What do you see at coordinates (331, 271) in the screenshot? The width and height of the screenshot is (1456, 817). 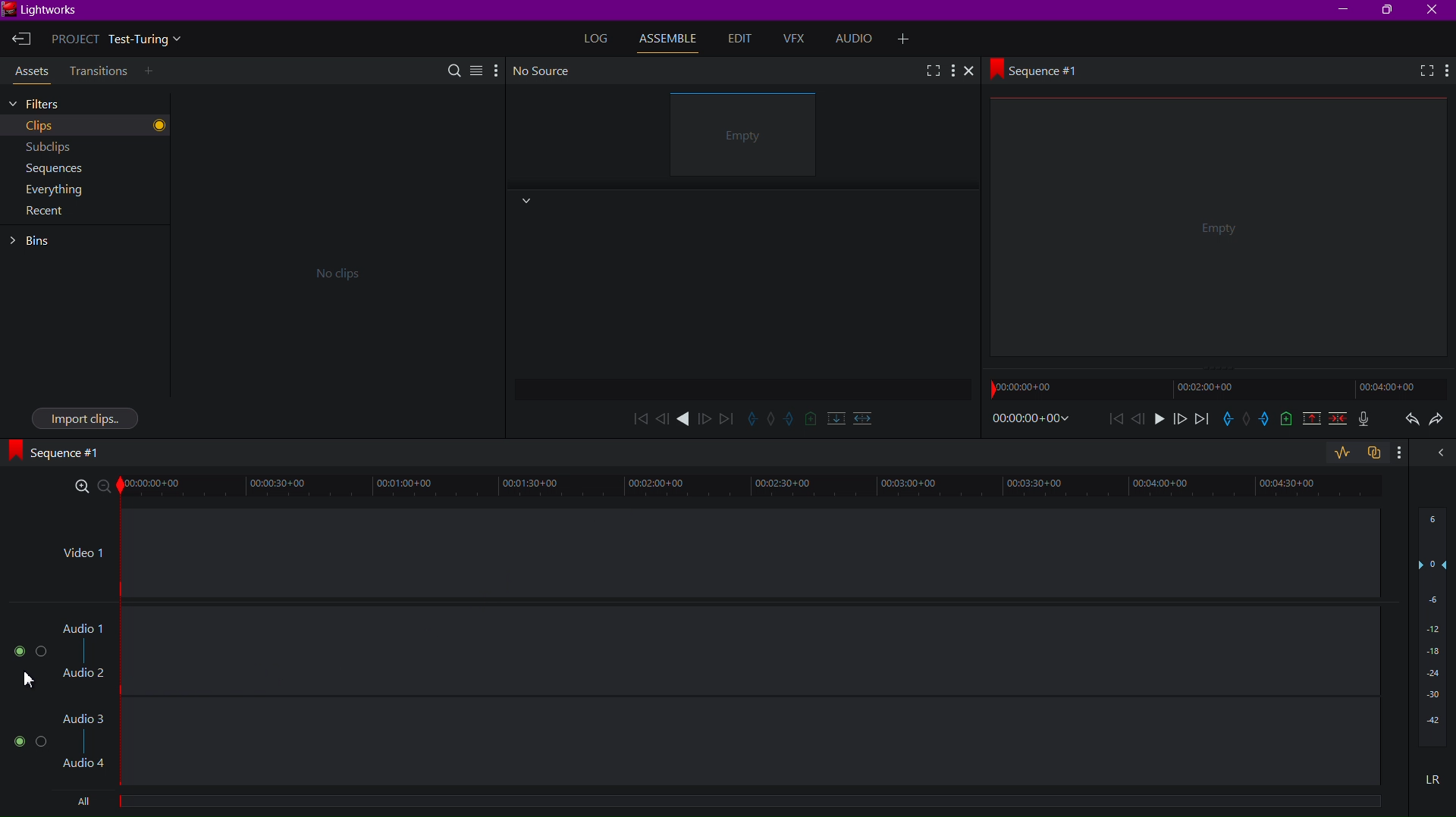 I see `No clips` at bounding box center [331, 271].